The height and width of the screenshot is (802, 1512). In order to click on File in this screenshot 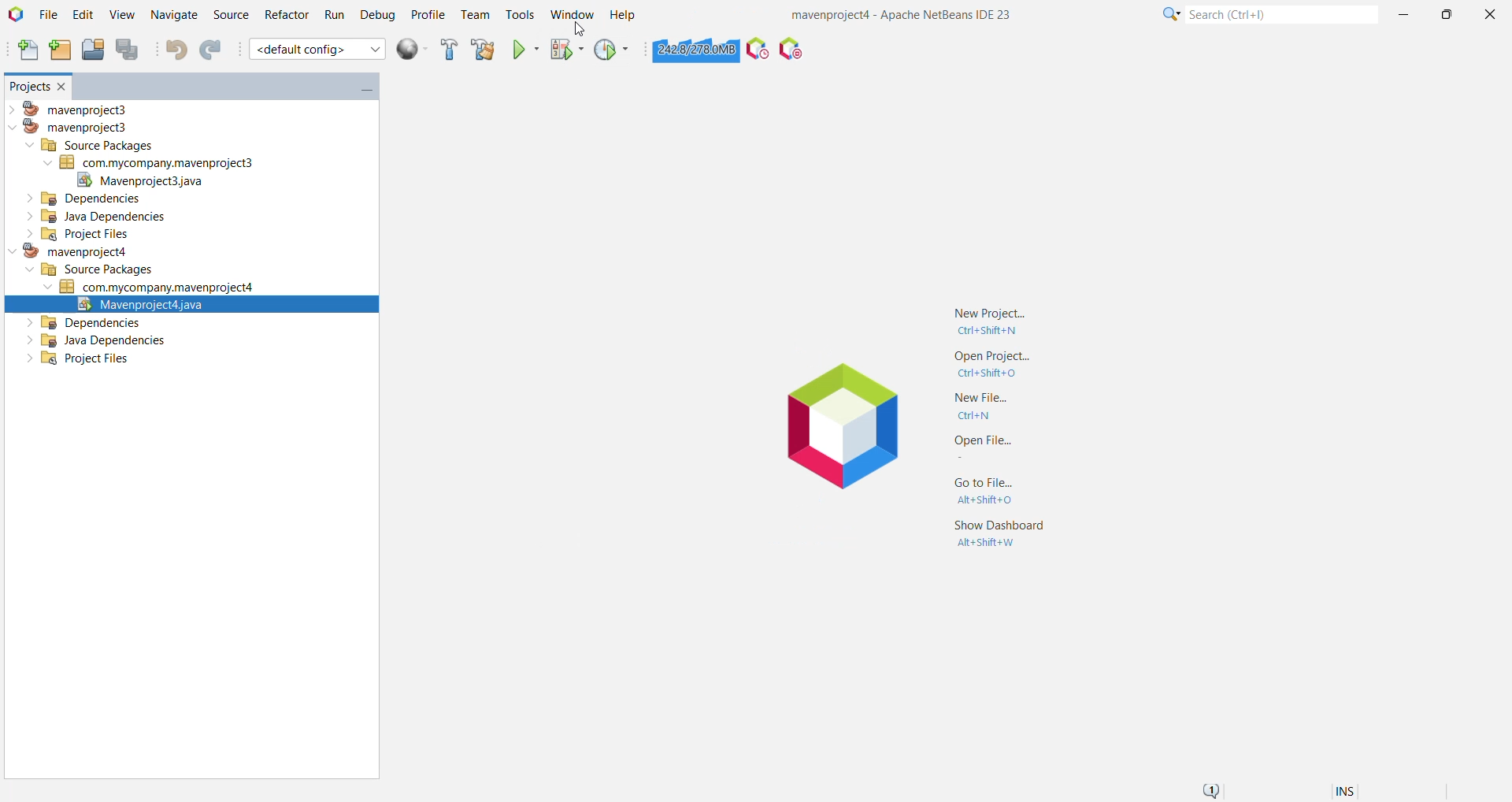, I will do `click(49, 15)`.